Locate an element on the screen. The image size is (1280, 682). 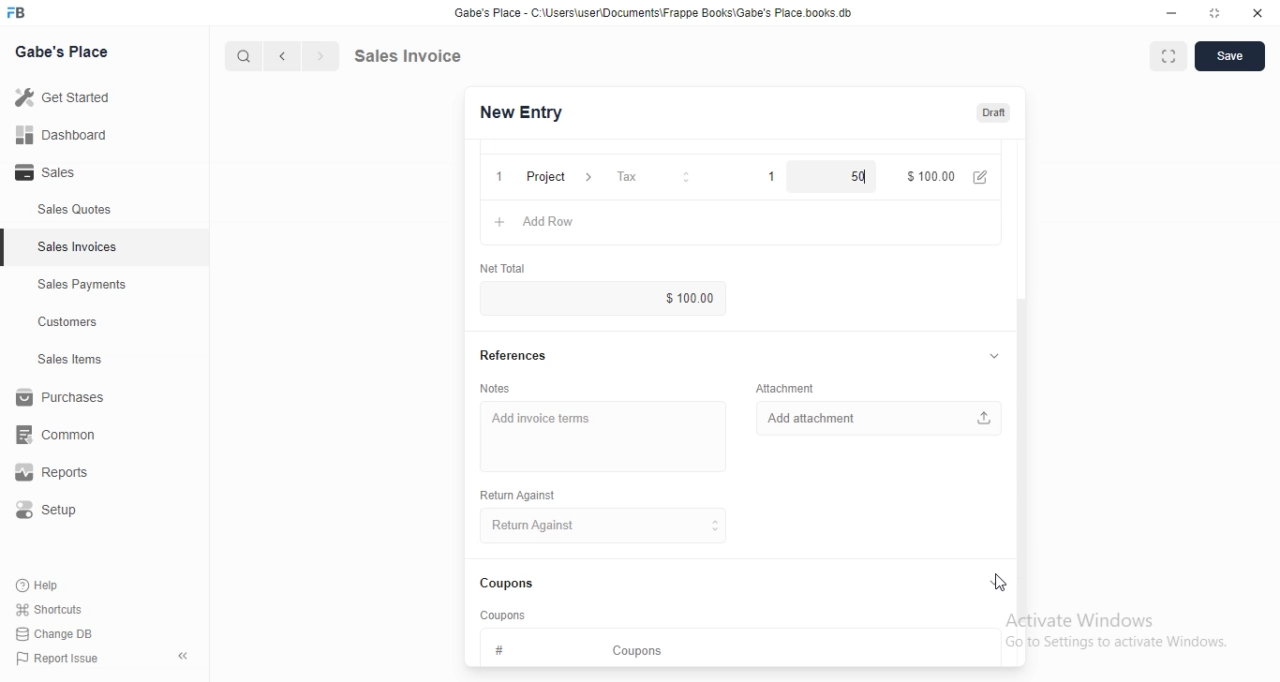
collapse is located at coordinates (185, 656).